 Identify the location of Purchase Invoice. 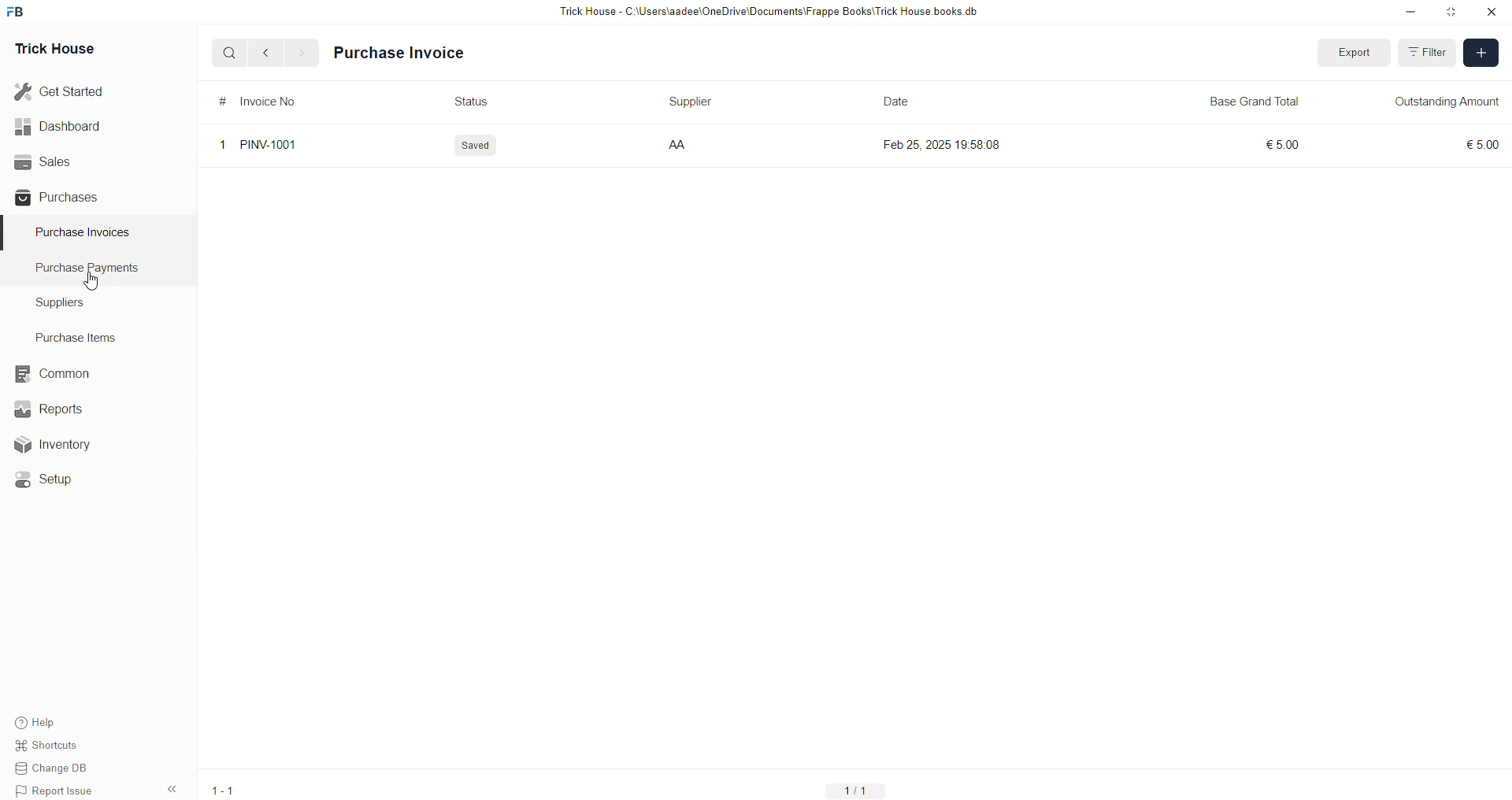
(406, 53).